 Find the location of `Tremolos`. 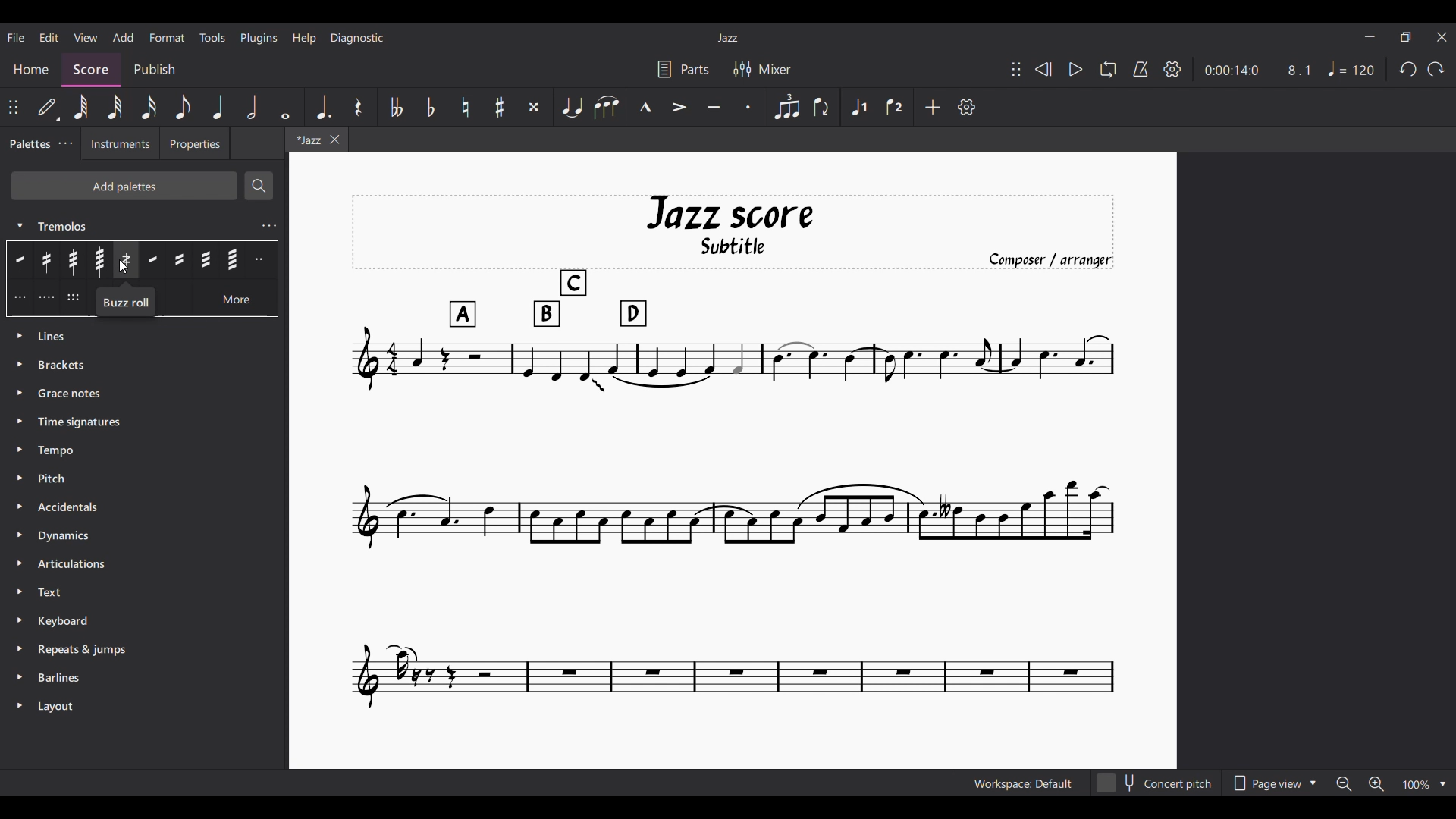

Tremolos is located at coordinates (131, 224).